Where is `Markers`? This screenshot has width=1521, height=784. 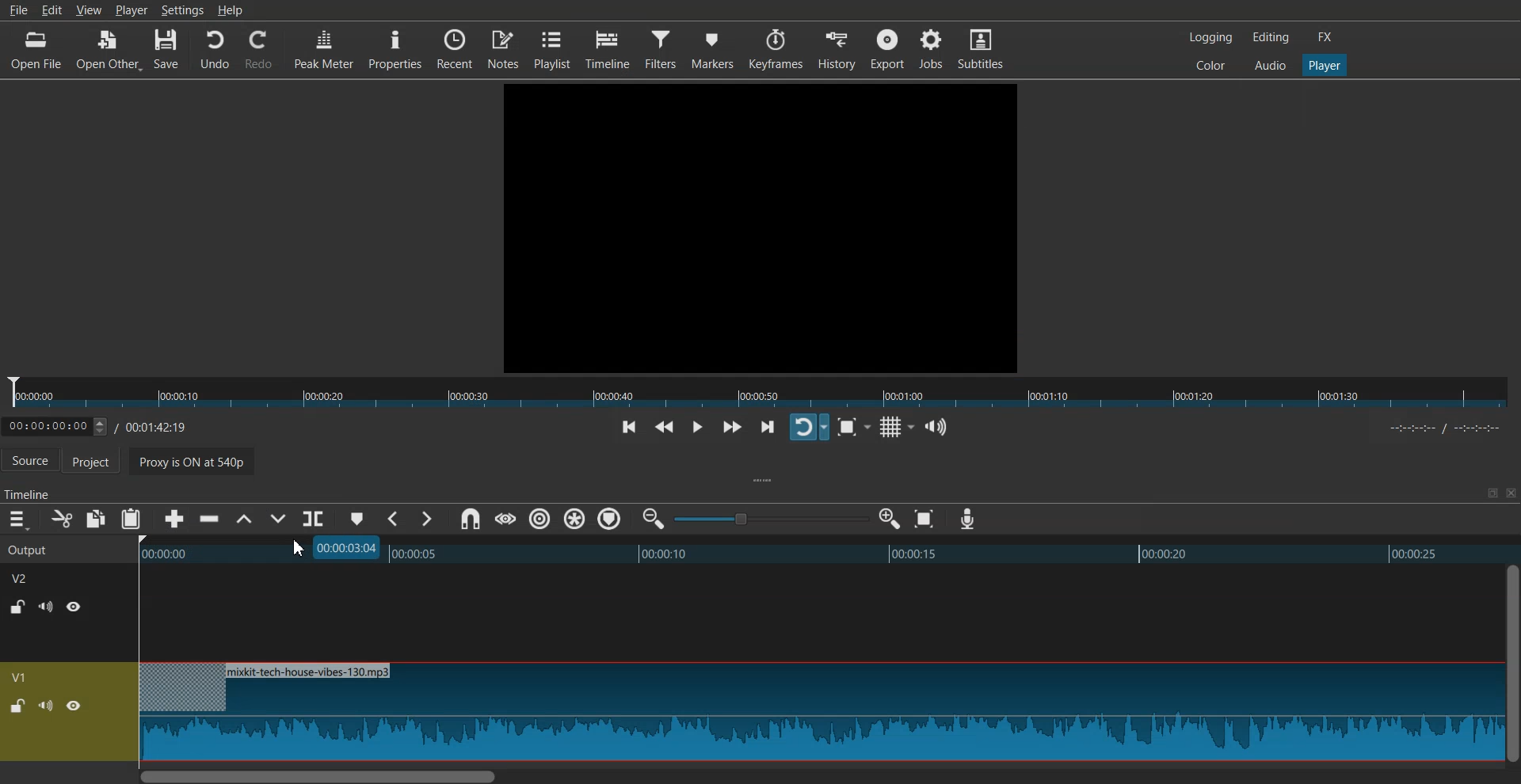 Markers is located at coordinates (713, 48).